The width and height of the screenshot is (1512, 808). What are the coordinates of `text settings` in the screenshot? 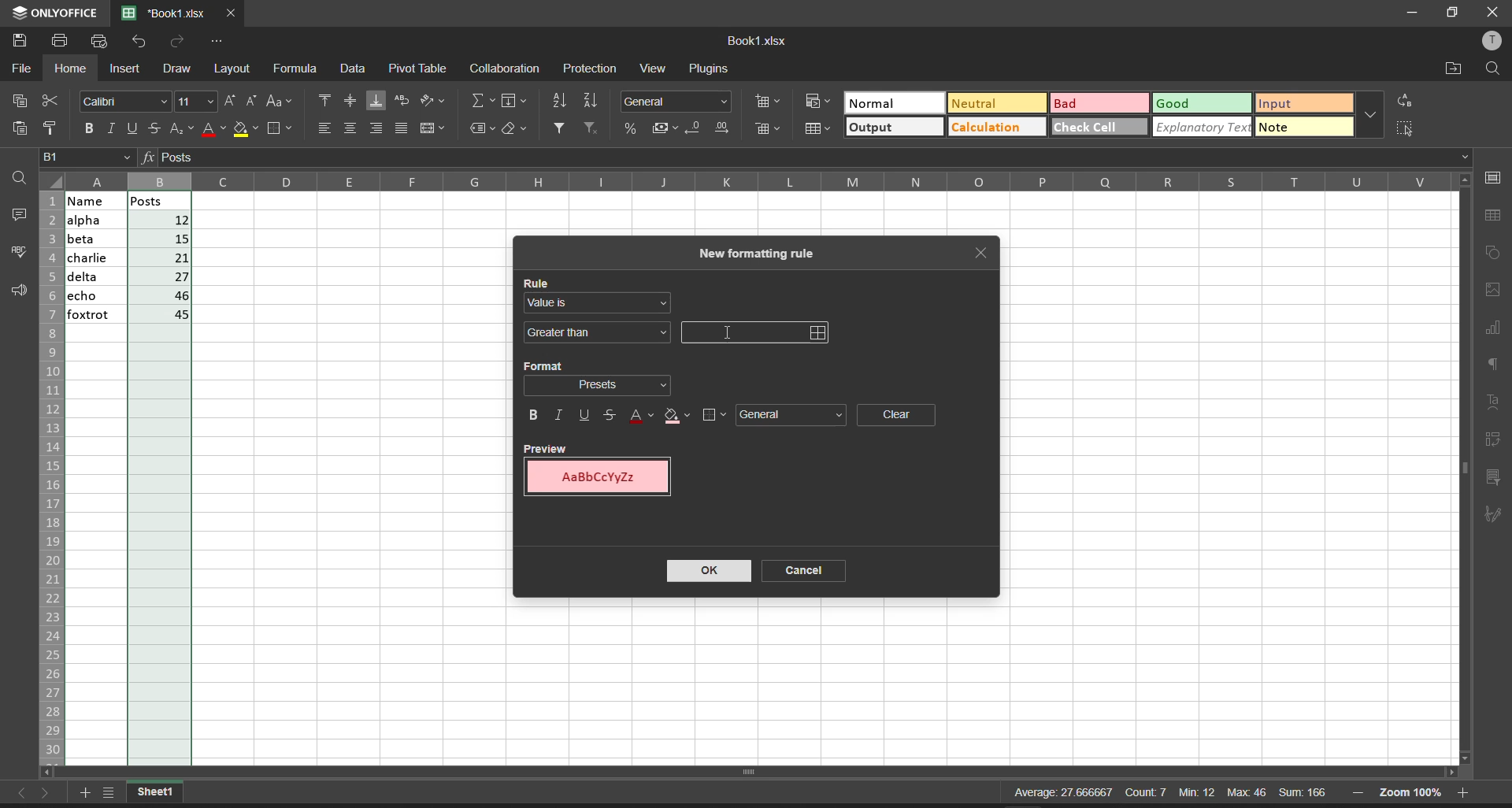 It's located at (1496, 401).